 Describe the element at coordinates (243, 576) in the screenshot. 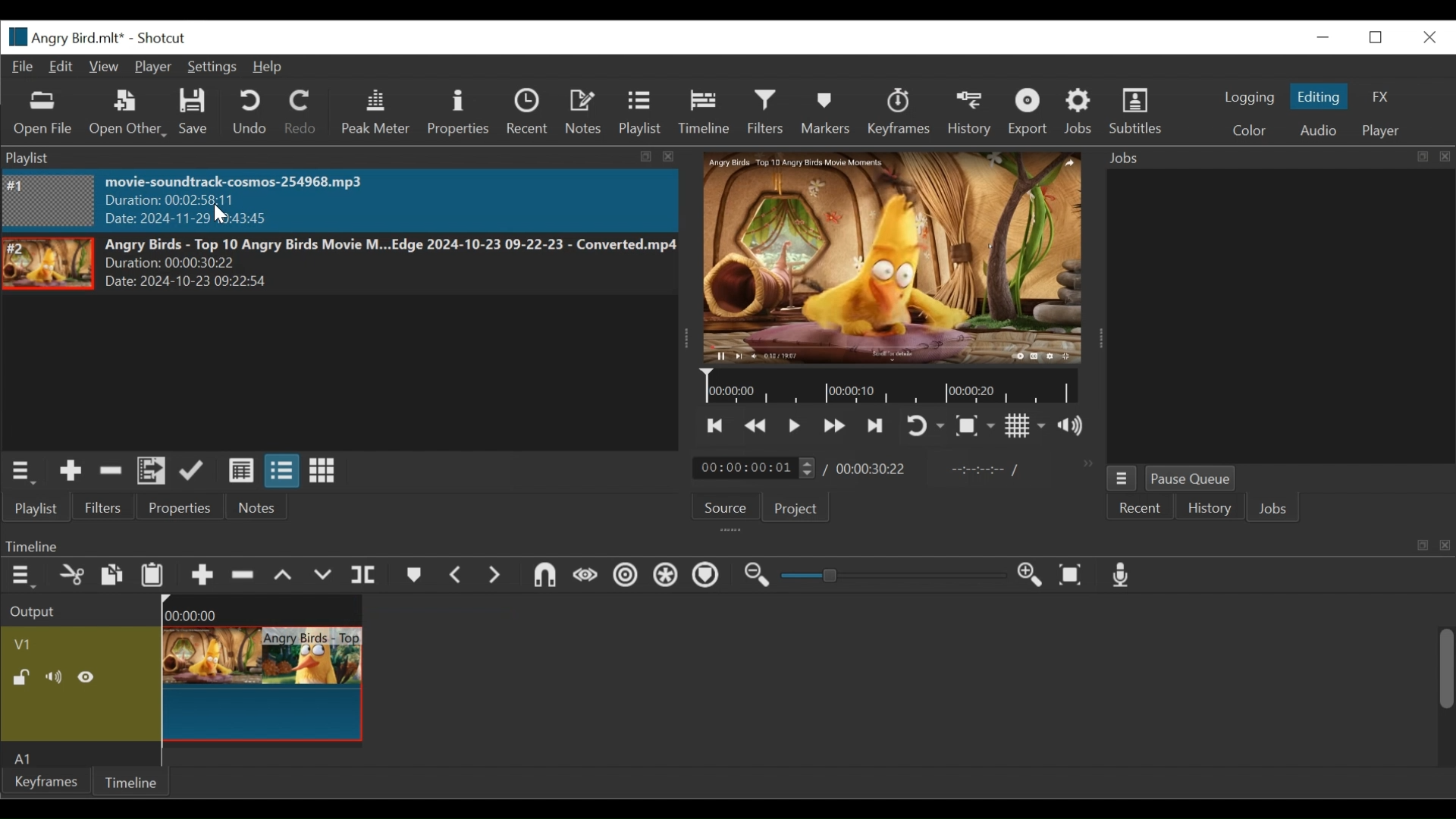

I see `Ripple Delete` at that location.